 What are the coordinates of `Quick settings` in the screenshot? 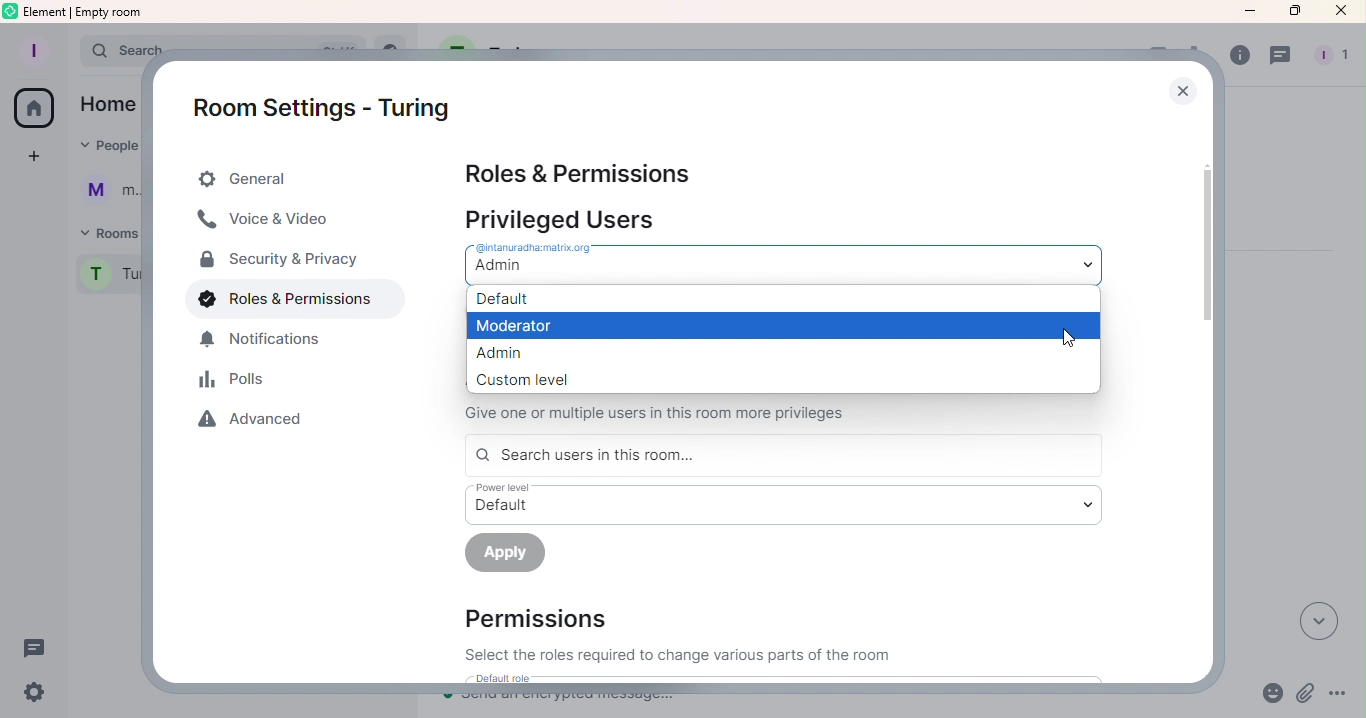 It's located at (34, 694).